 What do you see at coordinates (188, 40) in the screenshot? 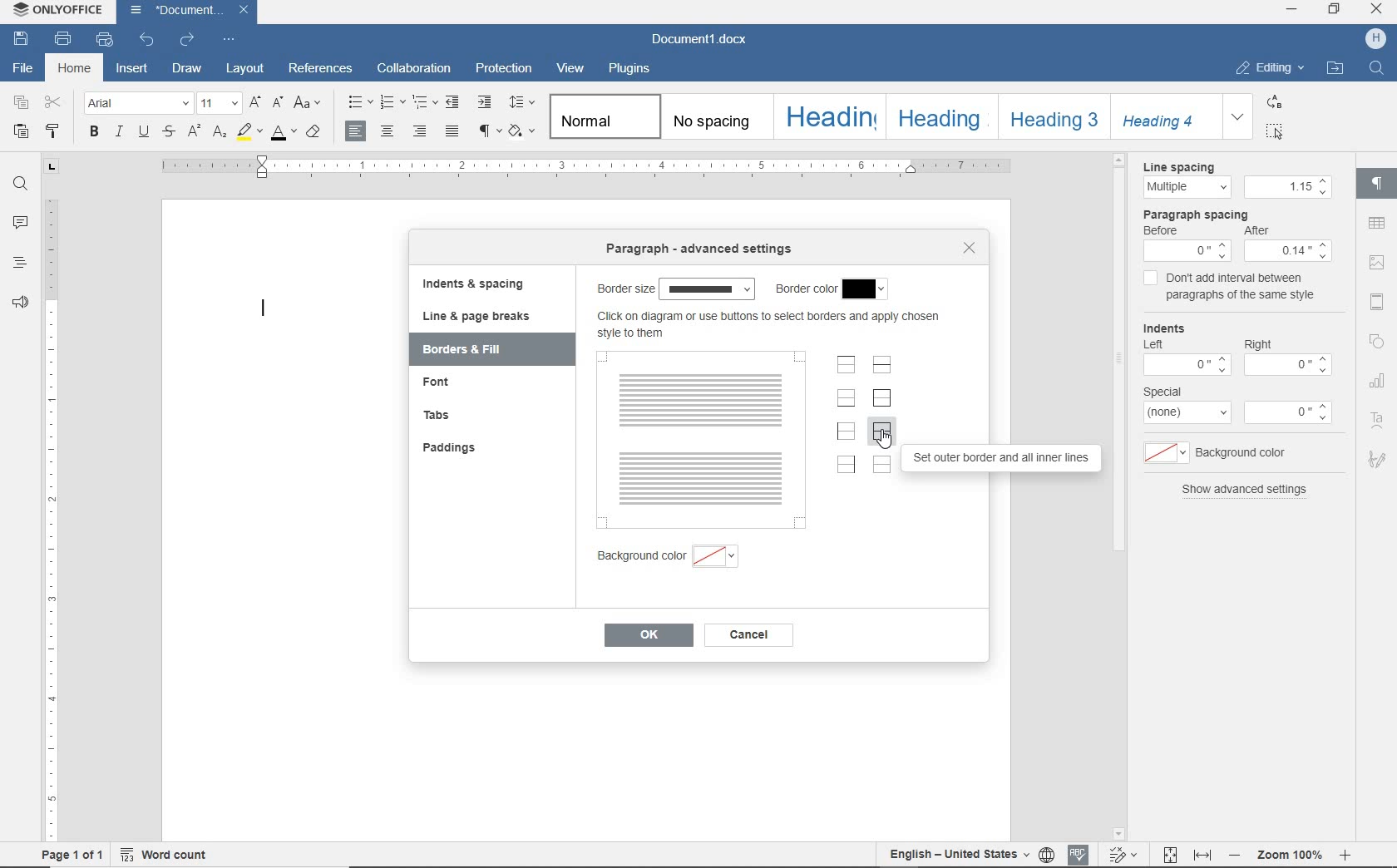
I see `redo` at bounding box center [188, 40].